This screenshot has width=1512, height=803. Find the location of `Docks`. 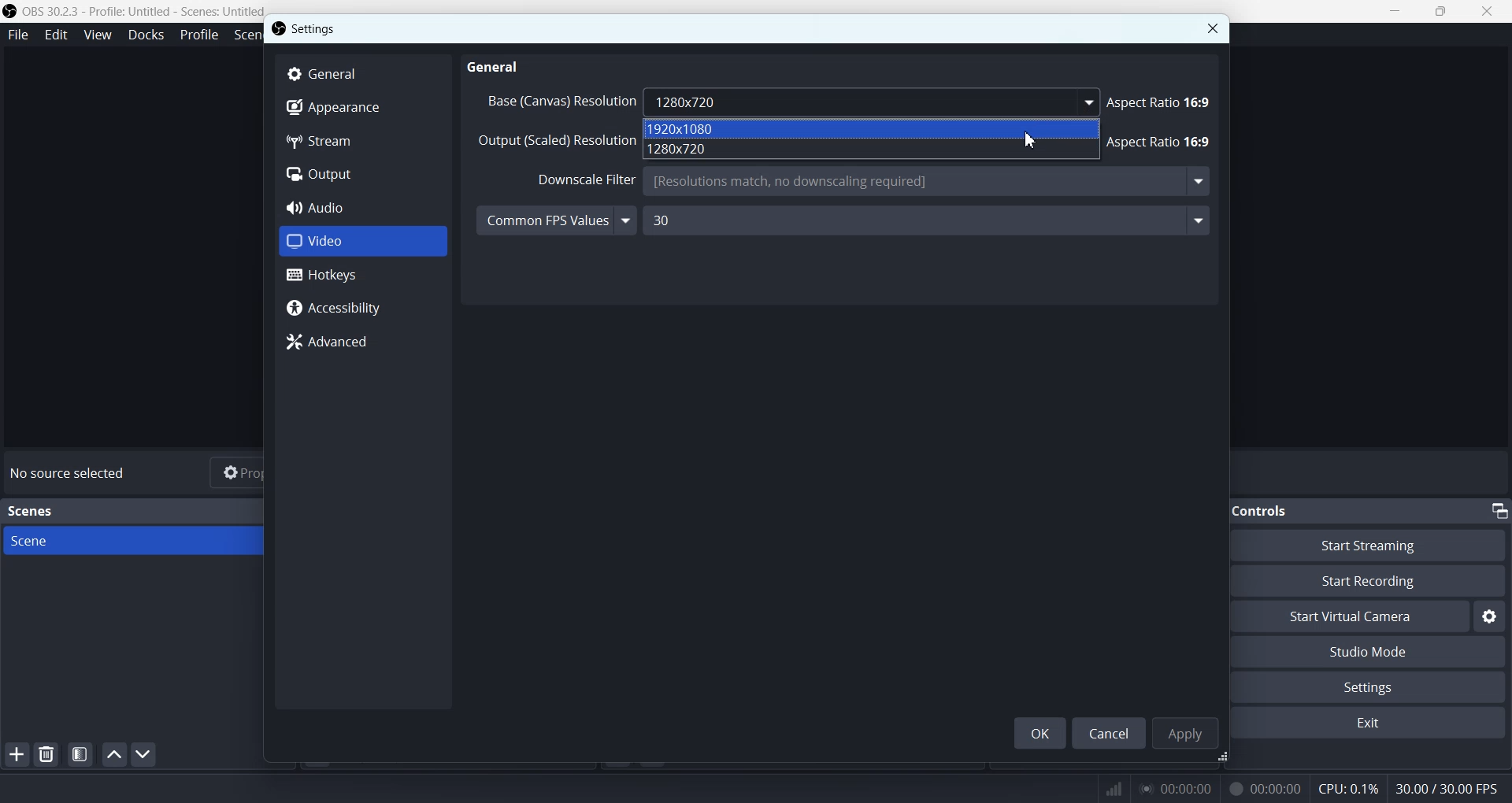

Docks is located at coordinates (146, 35).